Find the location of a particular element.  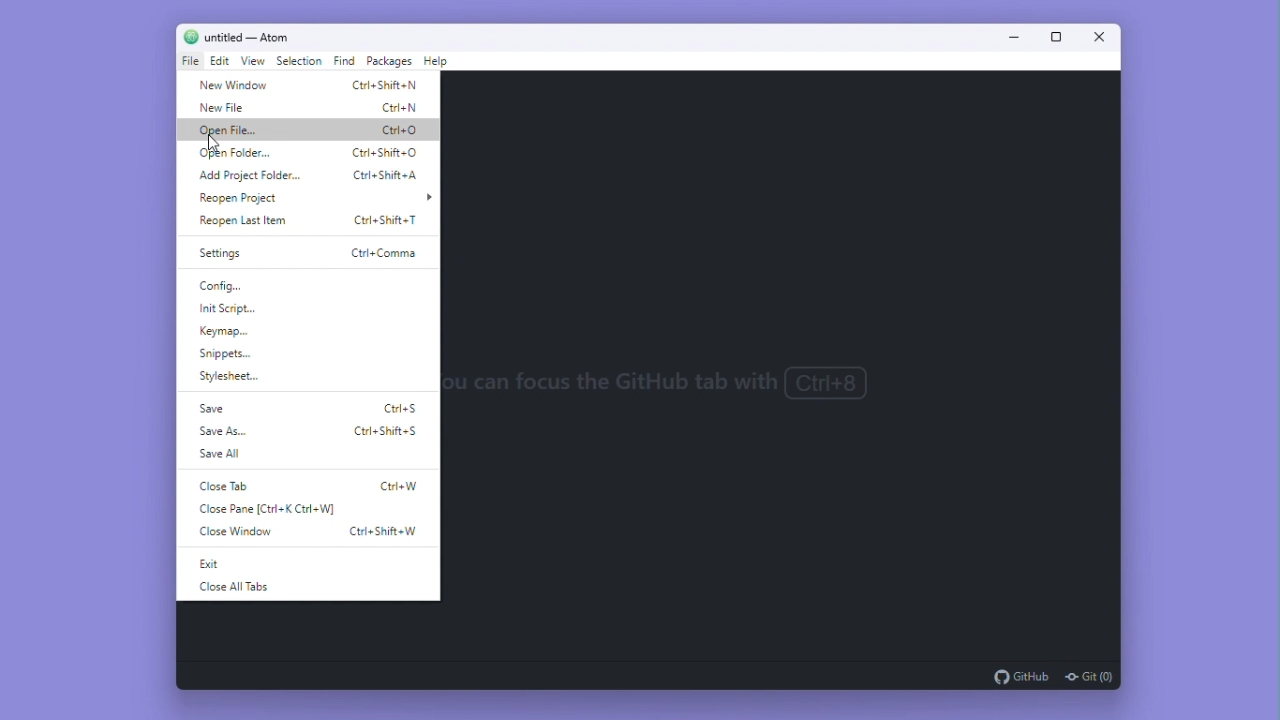

Snippets... is located at coordinates (241, 356).